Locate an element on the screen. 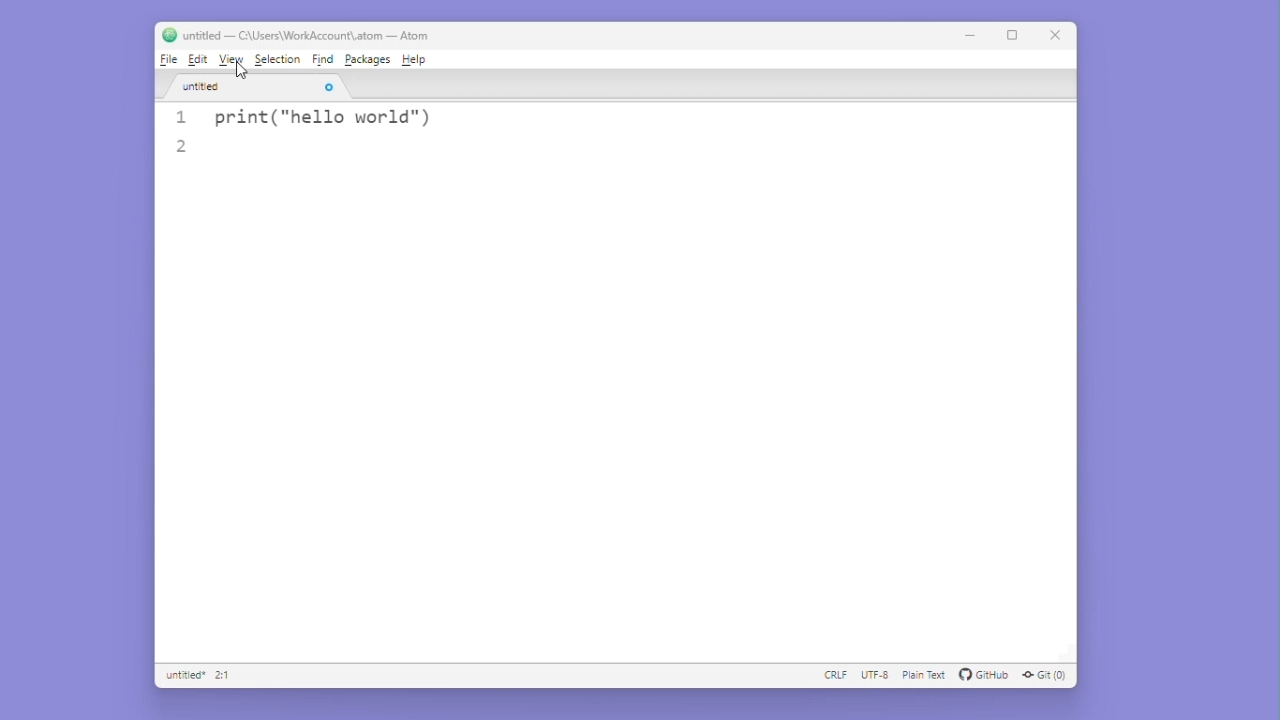 The image size is (1280, 720). ‘untitled — CA\Users\WorkAccount\ atom — Atom is located at coordinates (295, 35).